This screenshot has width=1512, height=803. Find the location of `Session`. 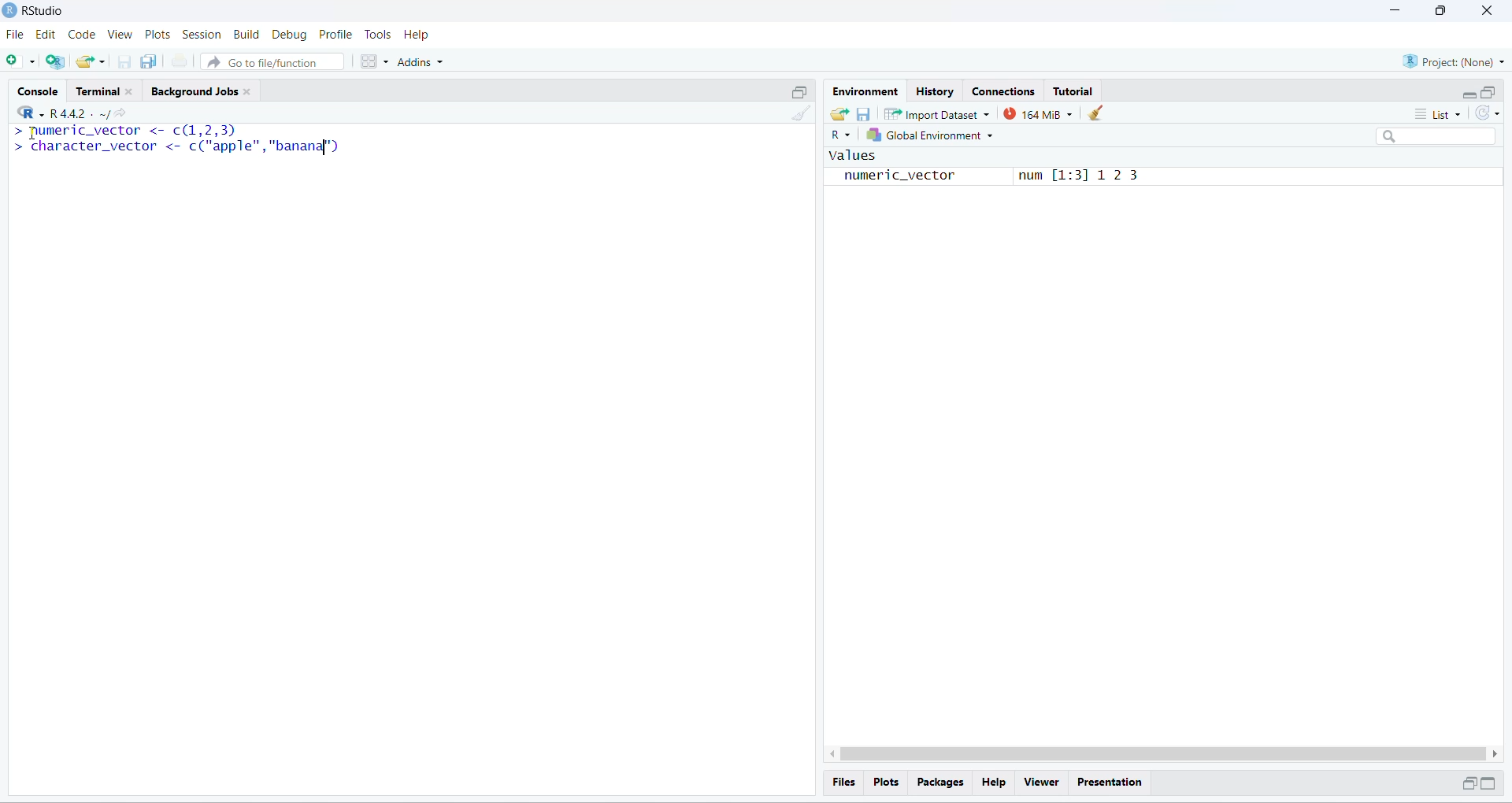

Session is located at coordinates (202, 35).